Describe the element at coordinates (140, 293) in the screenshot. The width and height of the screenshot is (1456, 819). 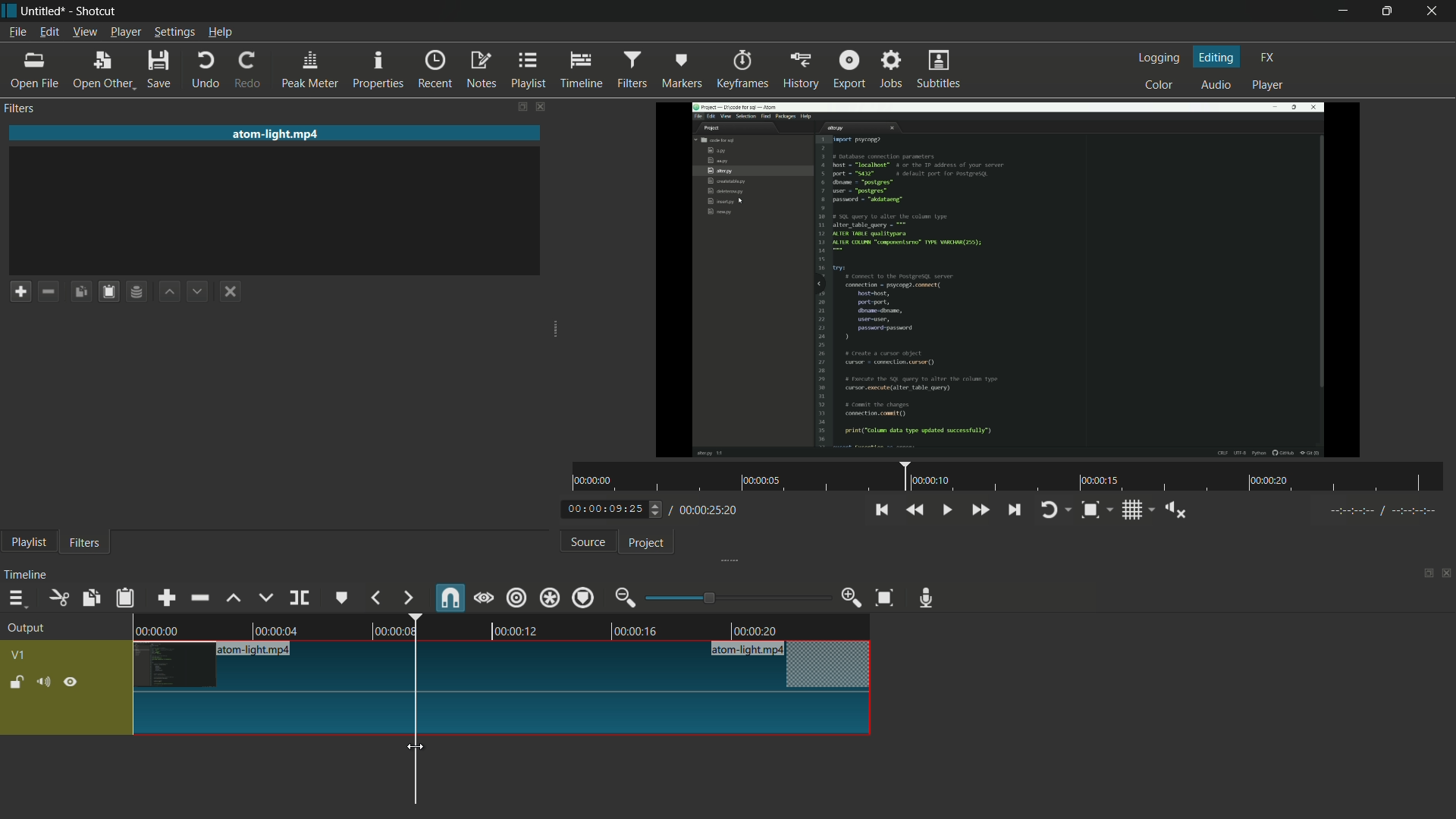
I see `save filter set` at that location.